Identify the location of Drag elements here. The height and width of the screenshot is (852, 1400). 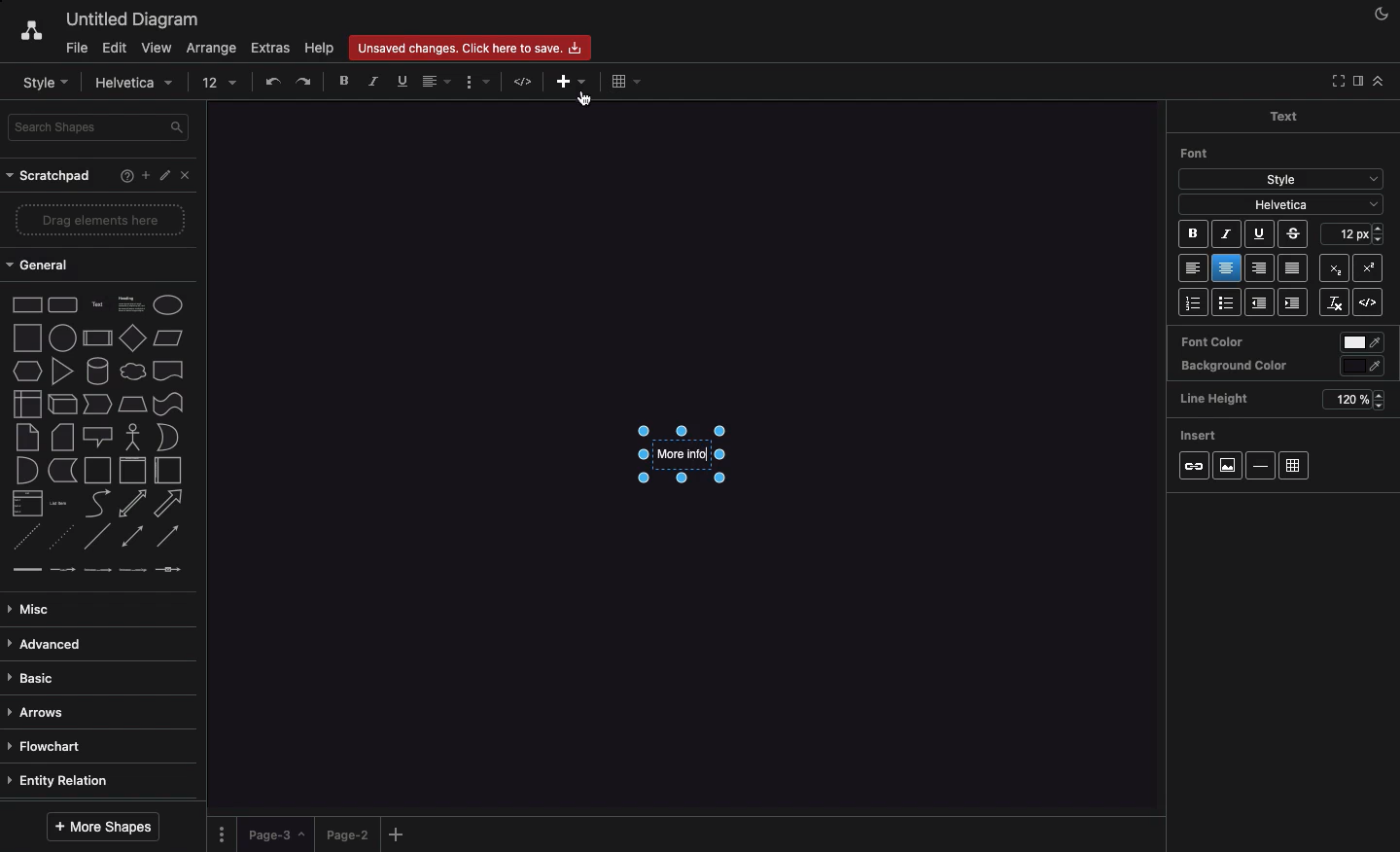
(102, 219).